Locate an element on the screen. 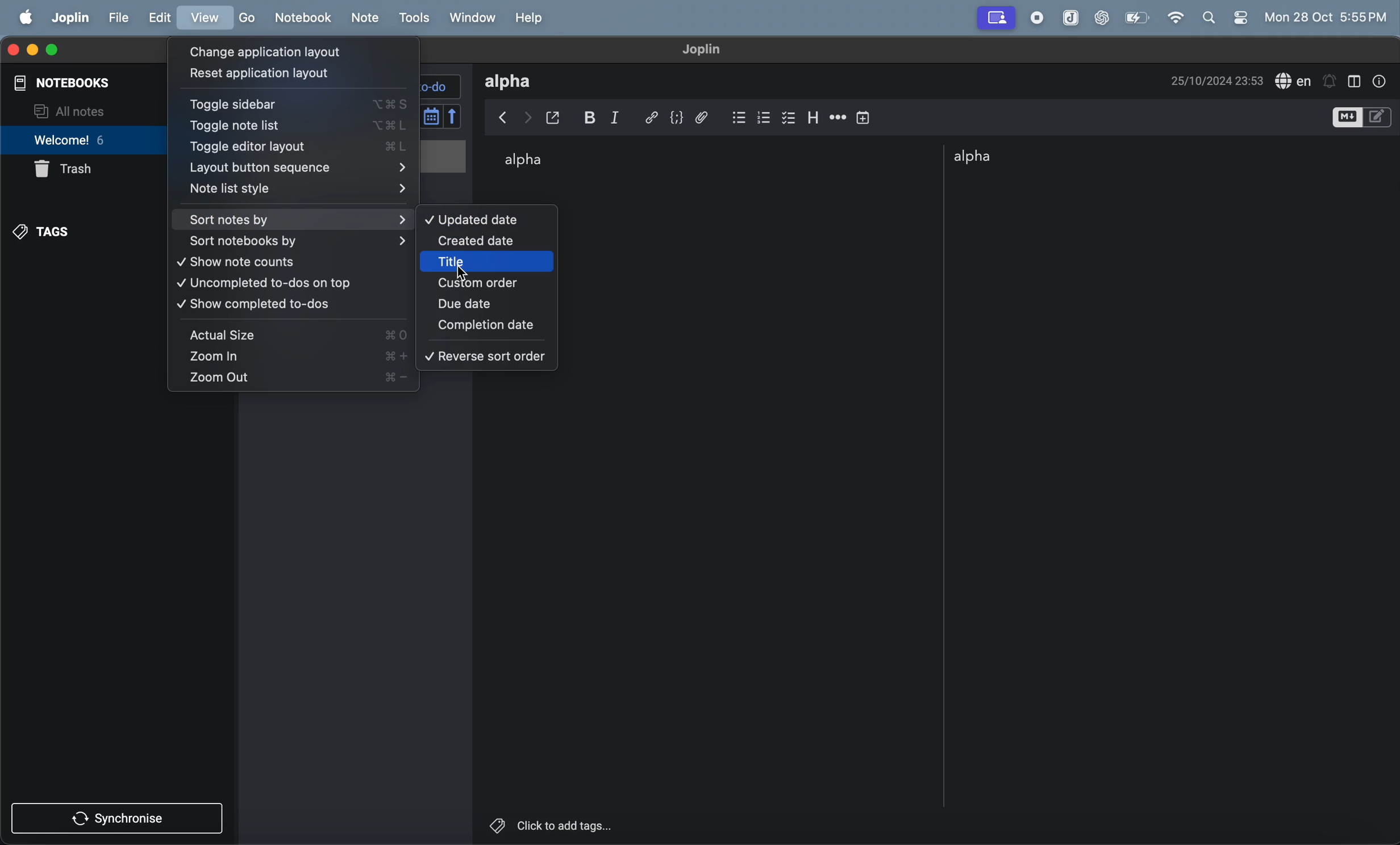 This screenshot has height=845, width=1400. custom rider is located at coordinates (487, 283).